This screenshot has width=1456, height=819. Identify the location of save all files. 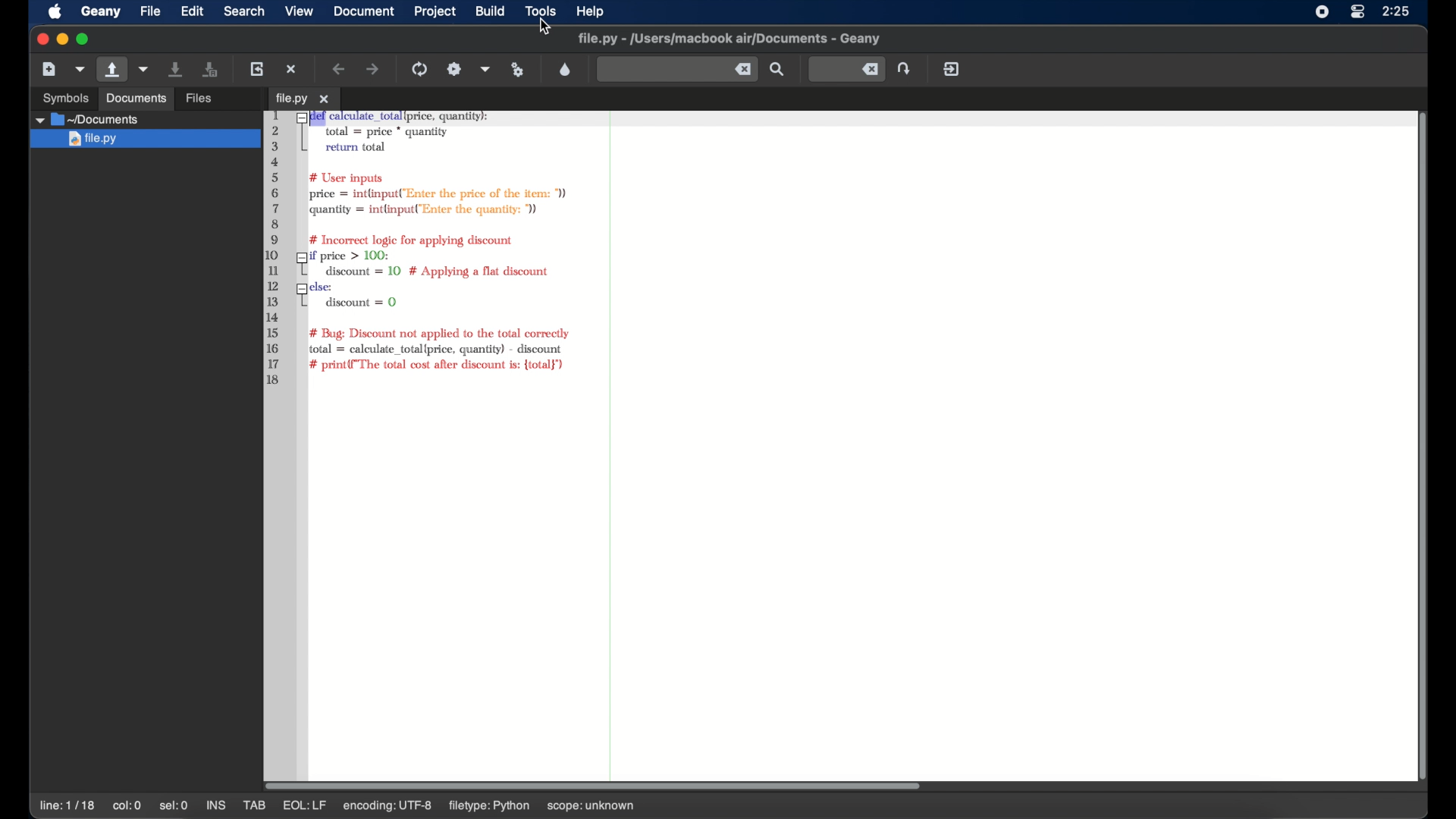
(211, 70).